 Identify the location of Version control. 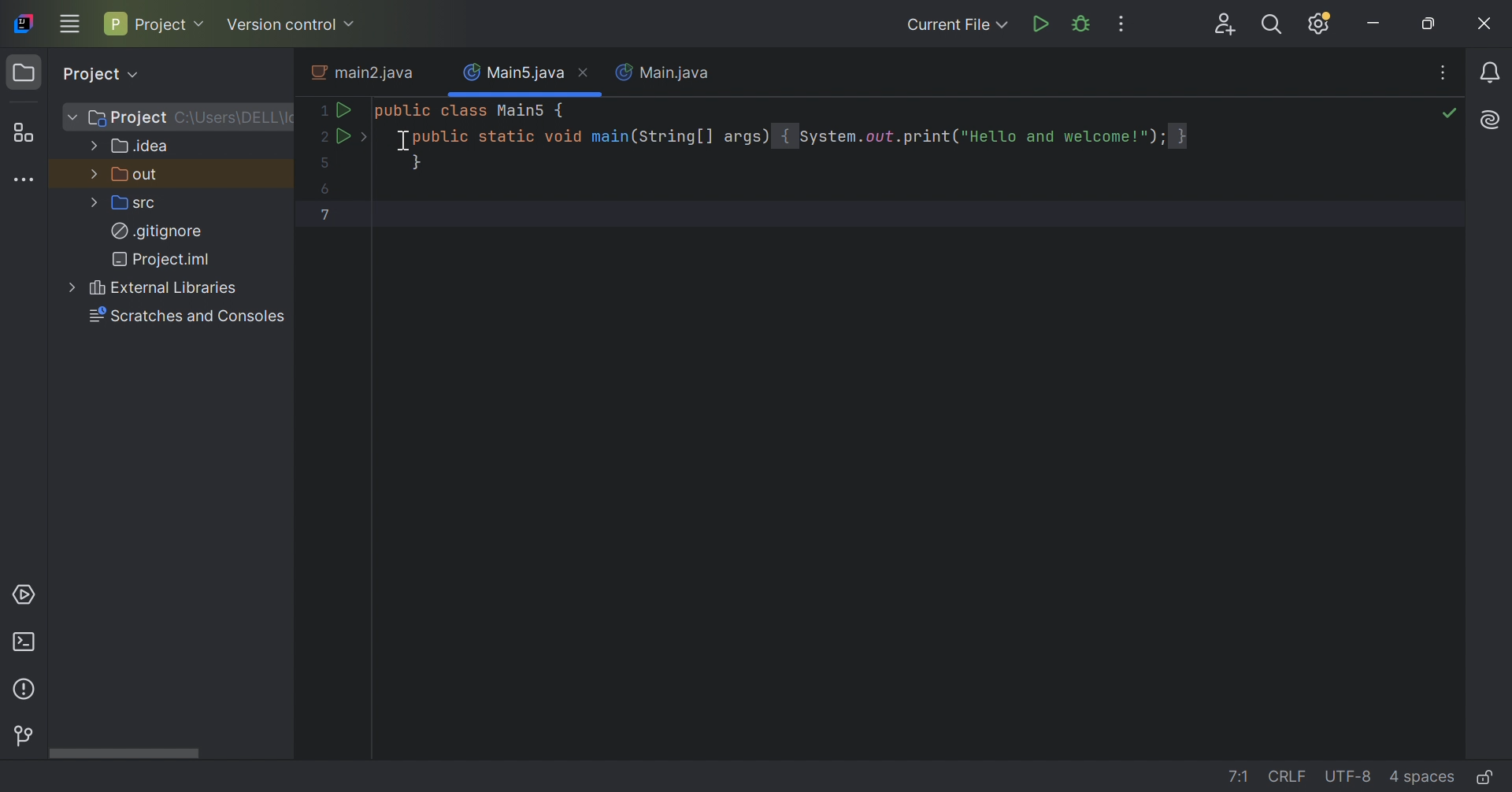
(295, 24).